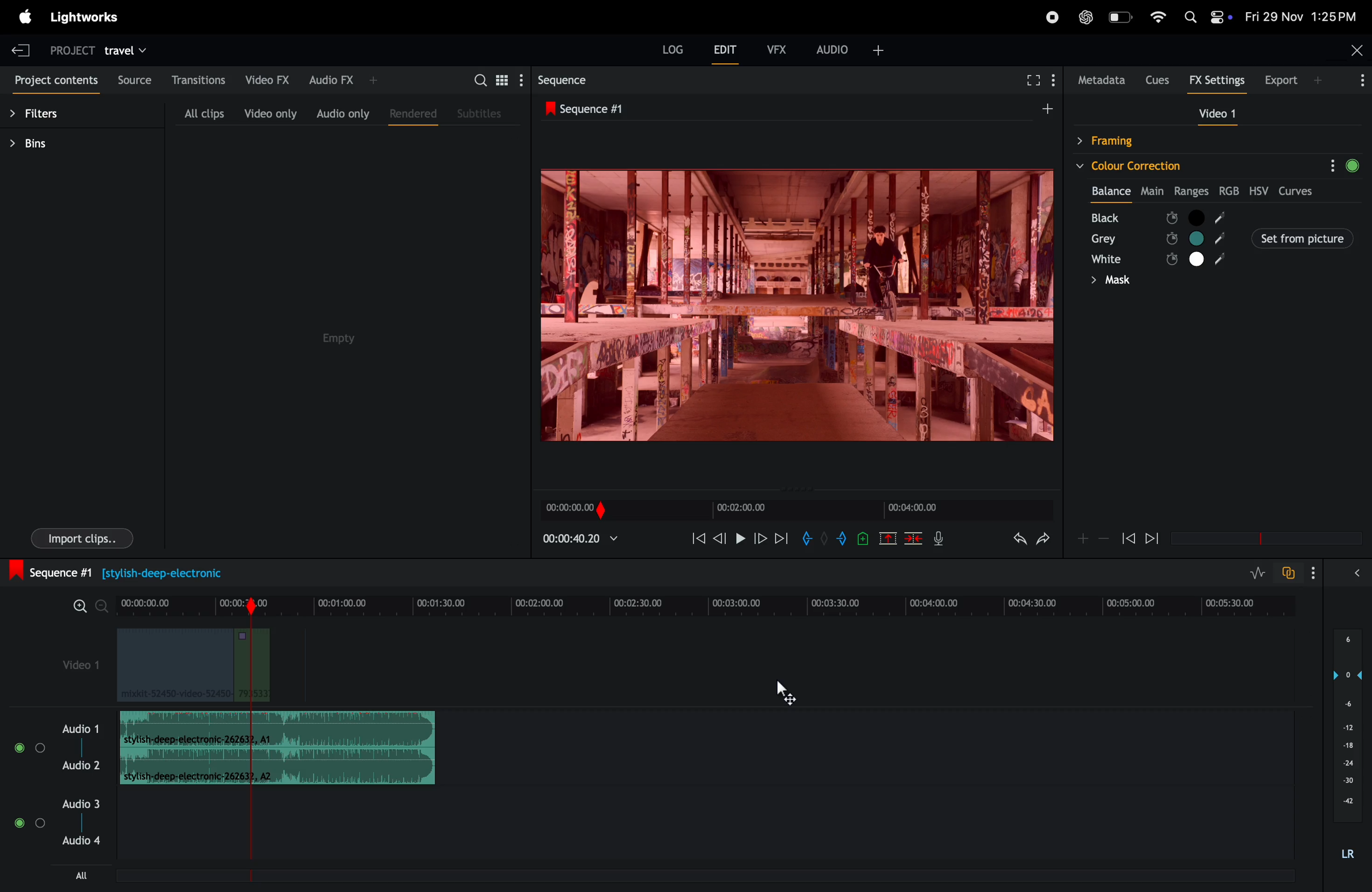 The image size is (1372, 892). Describe the element at coordinates (1053, 78) in the screenshot. I see `show menu` at that location.